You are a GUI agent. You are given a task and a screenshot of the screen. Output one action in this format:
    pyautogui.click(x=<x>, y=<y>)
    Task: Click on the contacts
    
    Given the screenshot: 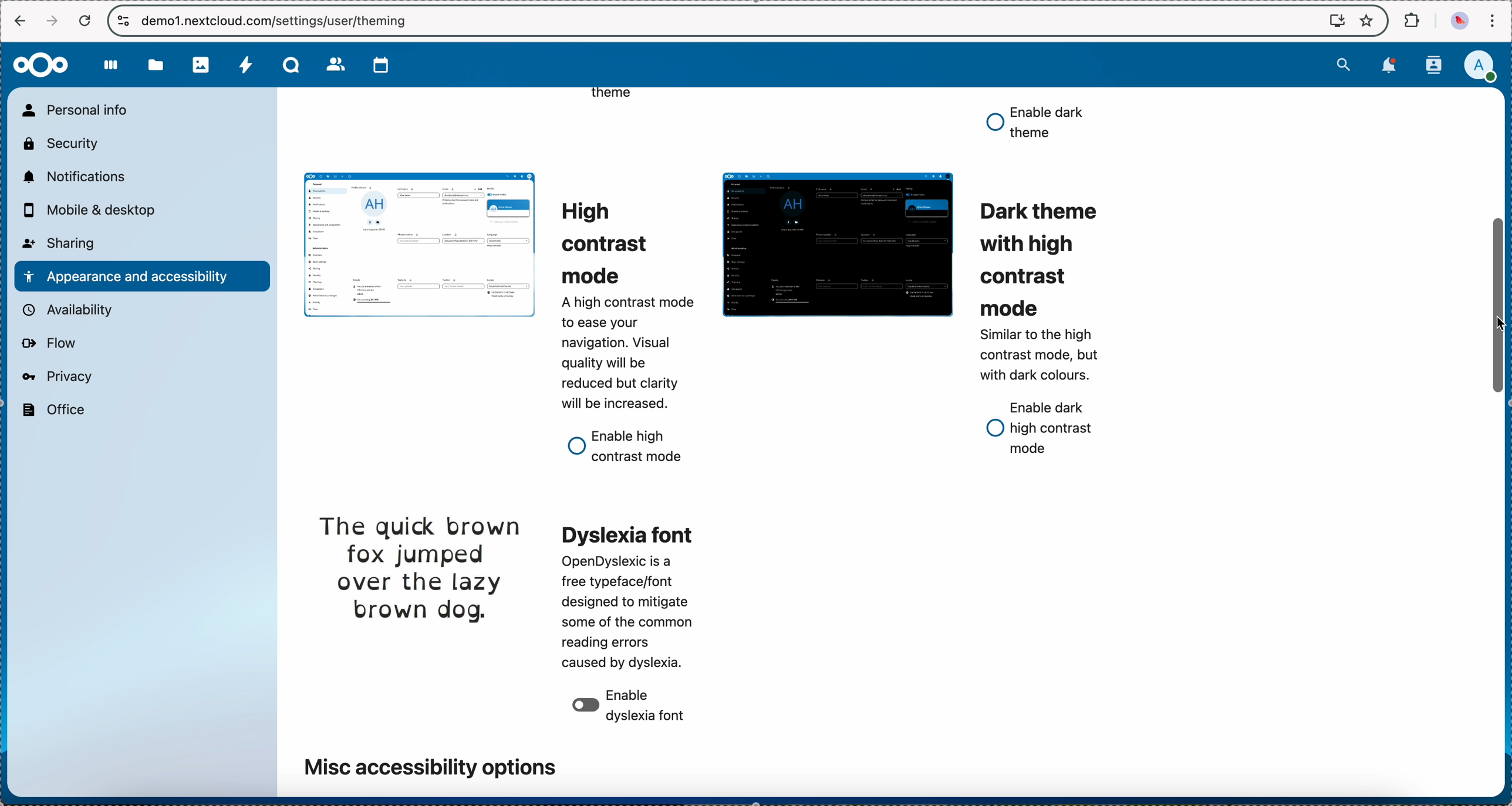 What is the action you would take?
    pyautogui.click(x=333, y=65)
    